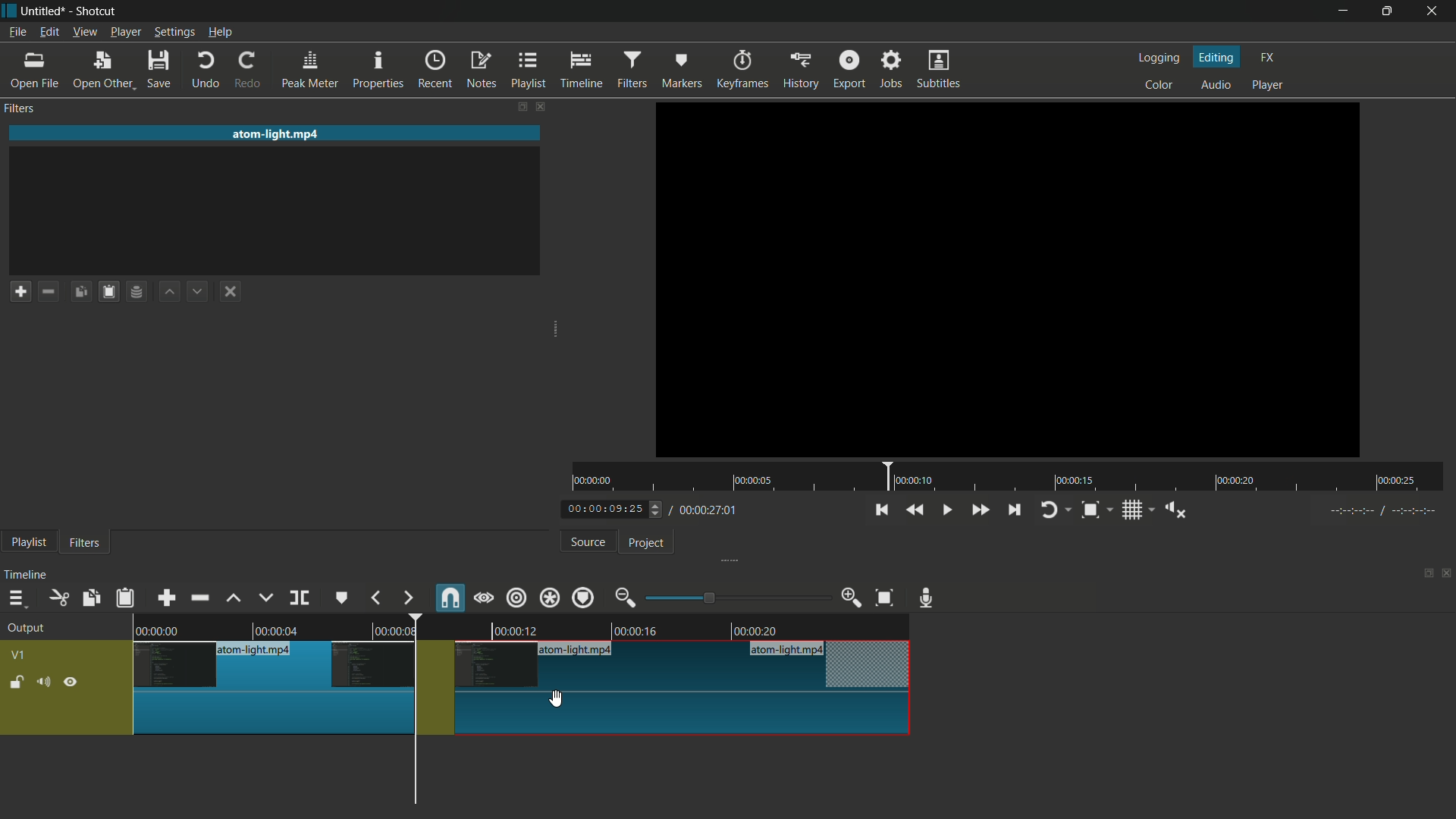 This screenshot has width=1456, height=819. What do you see at coordinates (707, 510) in the screenshot?
I see `total time` at bounding box center [707, 510].